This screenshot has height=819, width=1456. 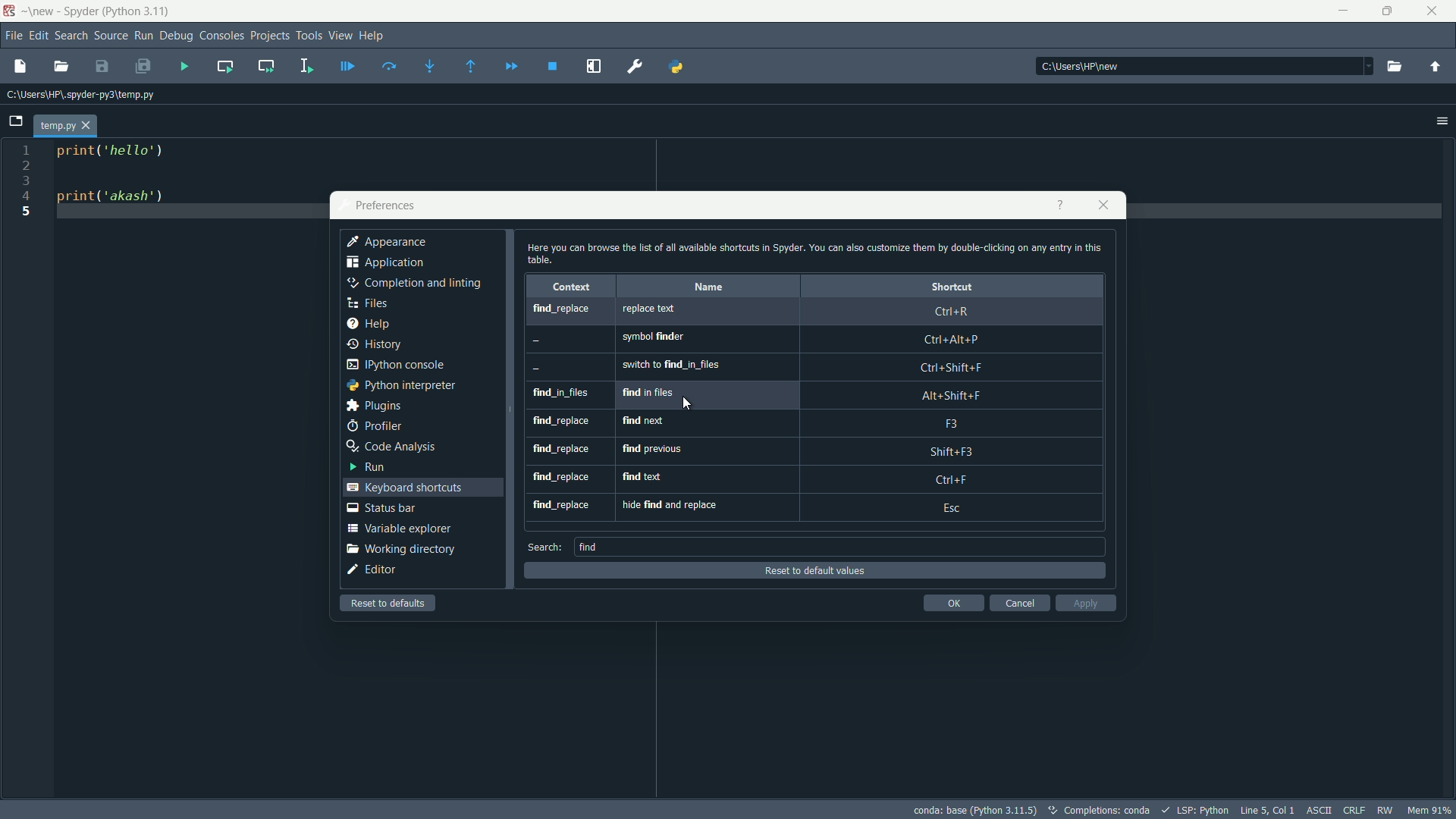 What do you see at coordinates (816, 312) in the screenshot?
I see `find_replace, replace text, Ctrl+R` at bounding box center [816, 312].